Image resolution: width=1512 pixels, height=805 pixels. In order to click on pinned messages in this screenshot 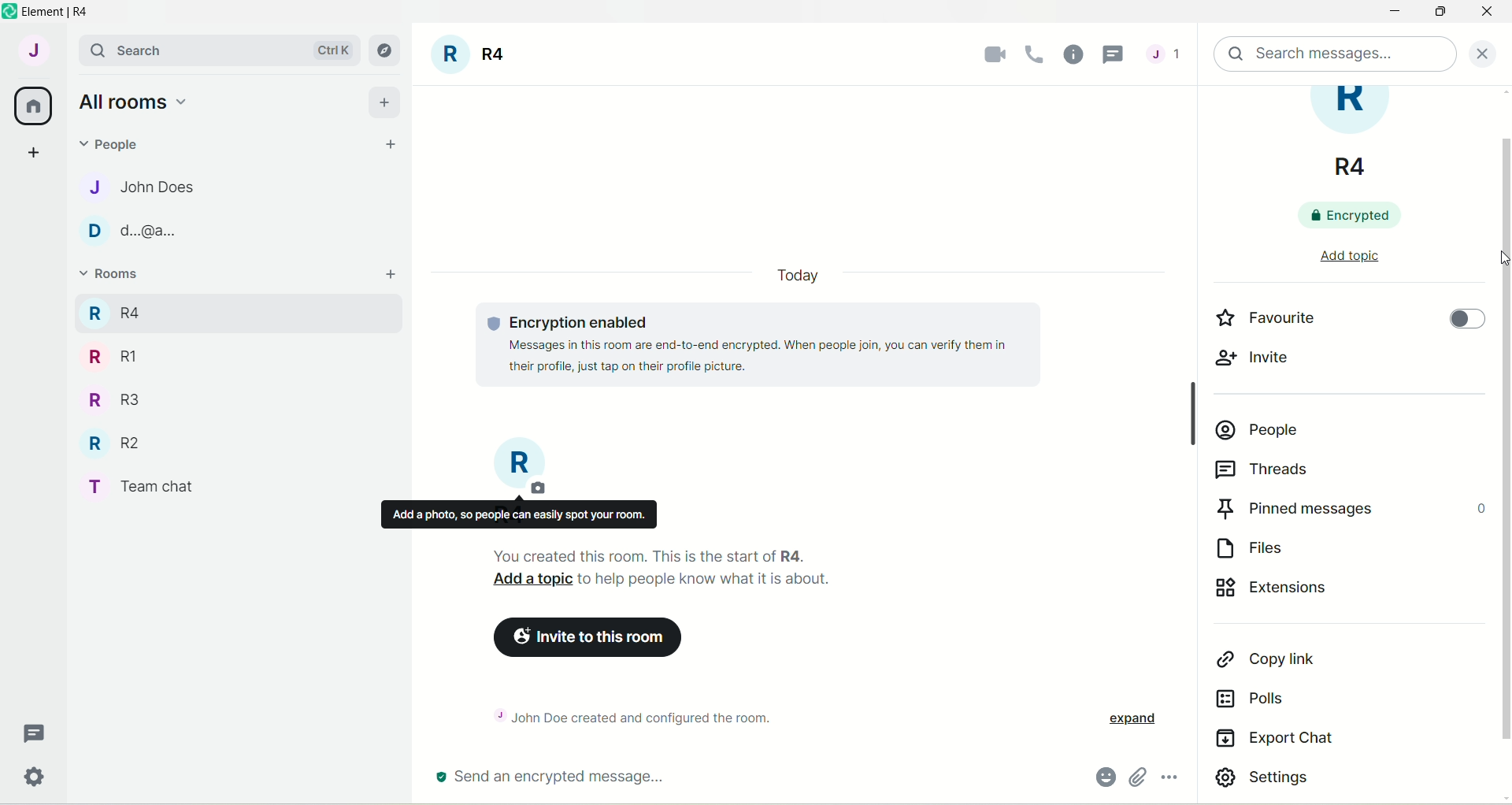, I will do `click(1349, 506)`.